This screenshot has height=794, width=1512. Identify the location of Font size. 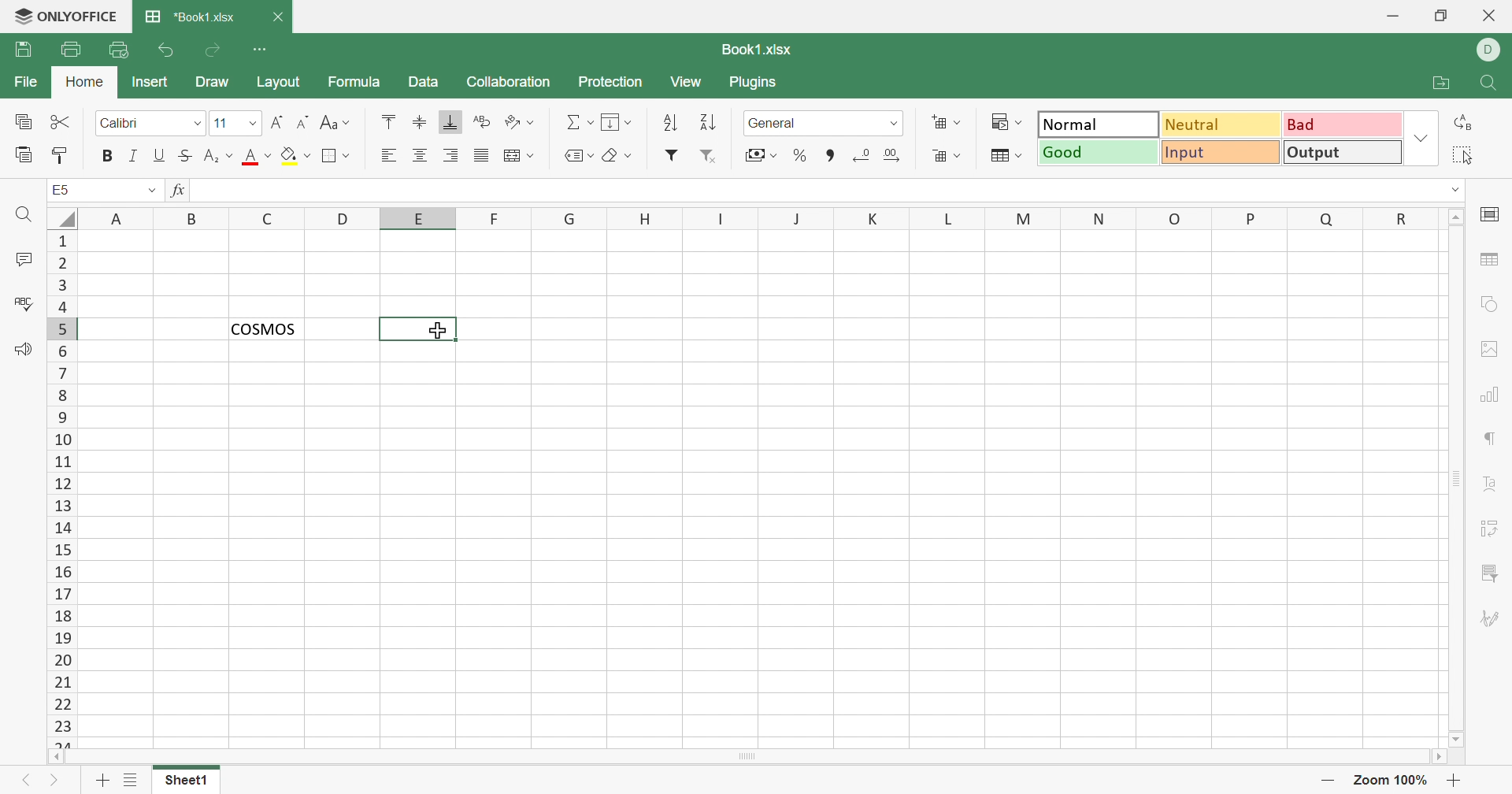
(226, 121).